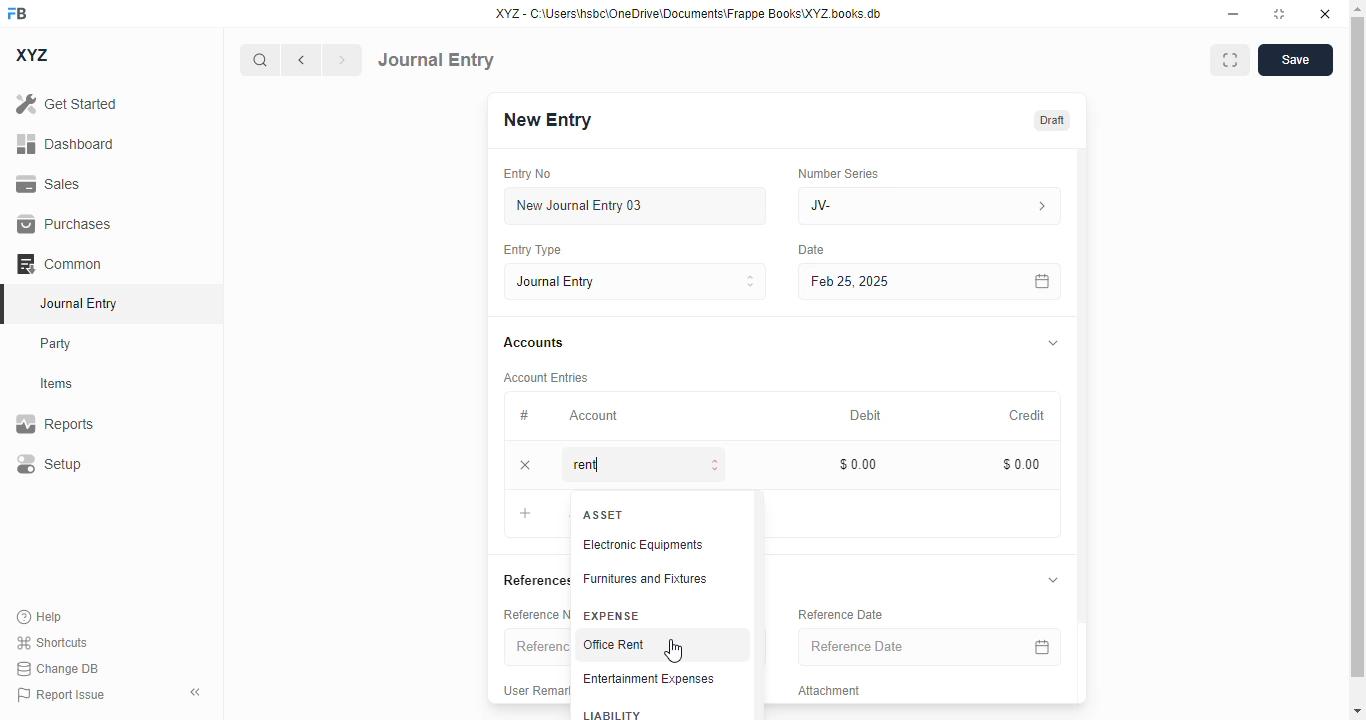 The width and height of the screenshot is (1366, 720). I want to click on reference date, so click(890, 646).